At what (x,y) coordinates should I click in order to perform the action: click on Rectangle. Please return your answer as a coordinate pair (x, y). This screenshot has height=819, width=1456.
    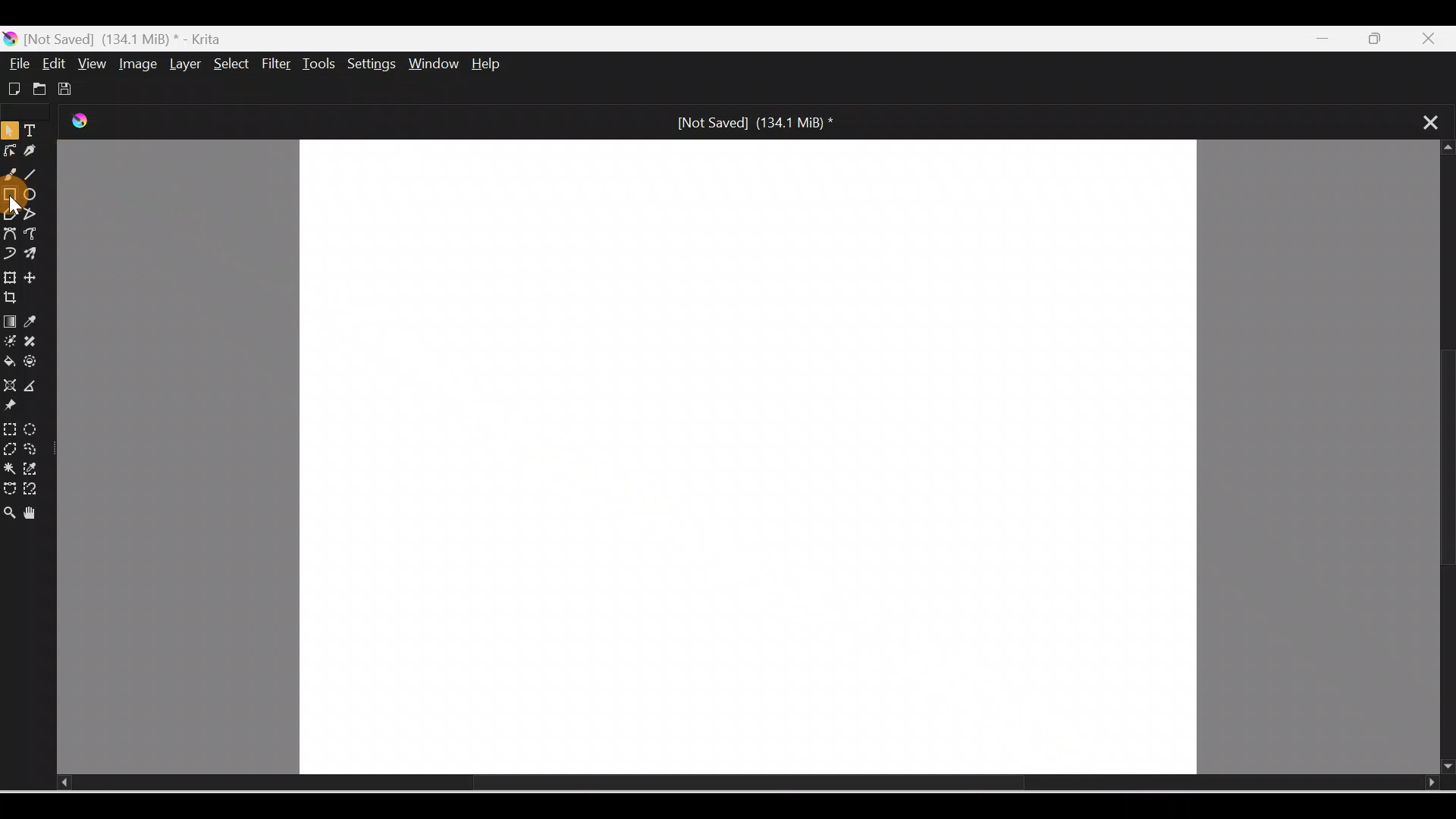
    Looking at the image, I should click on (11, 194).